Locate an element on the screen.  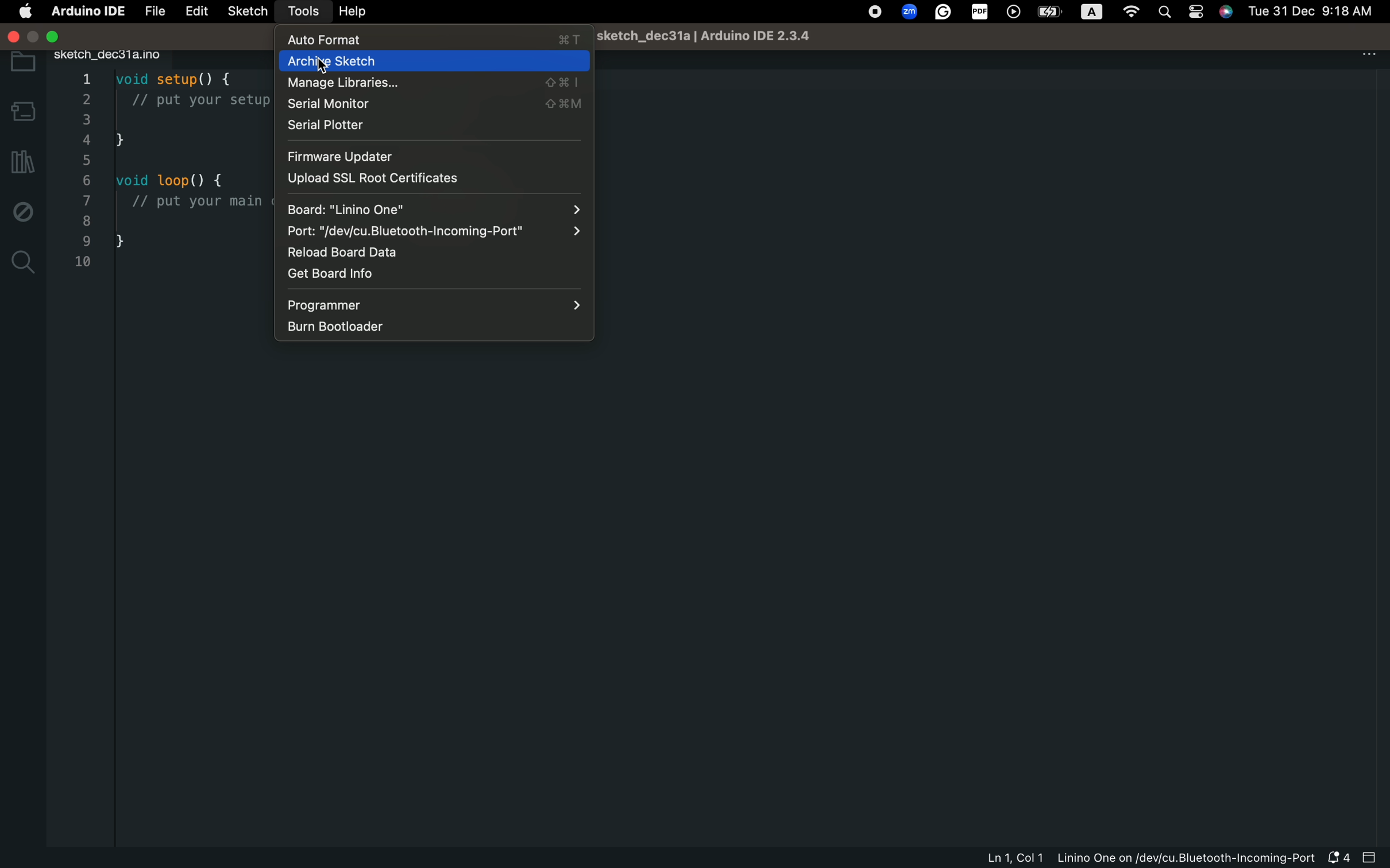
Programmer is located at coordinates (437, 303).